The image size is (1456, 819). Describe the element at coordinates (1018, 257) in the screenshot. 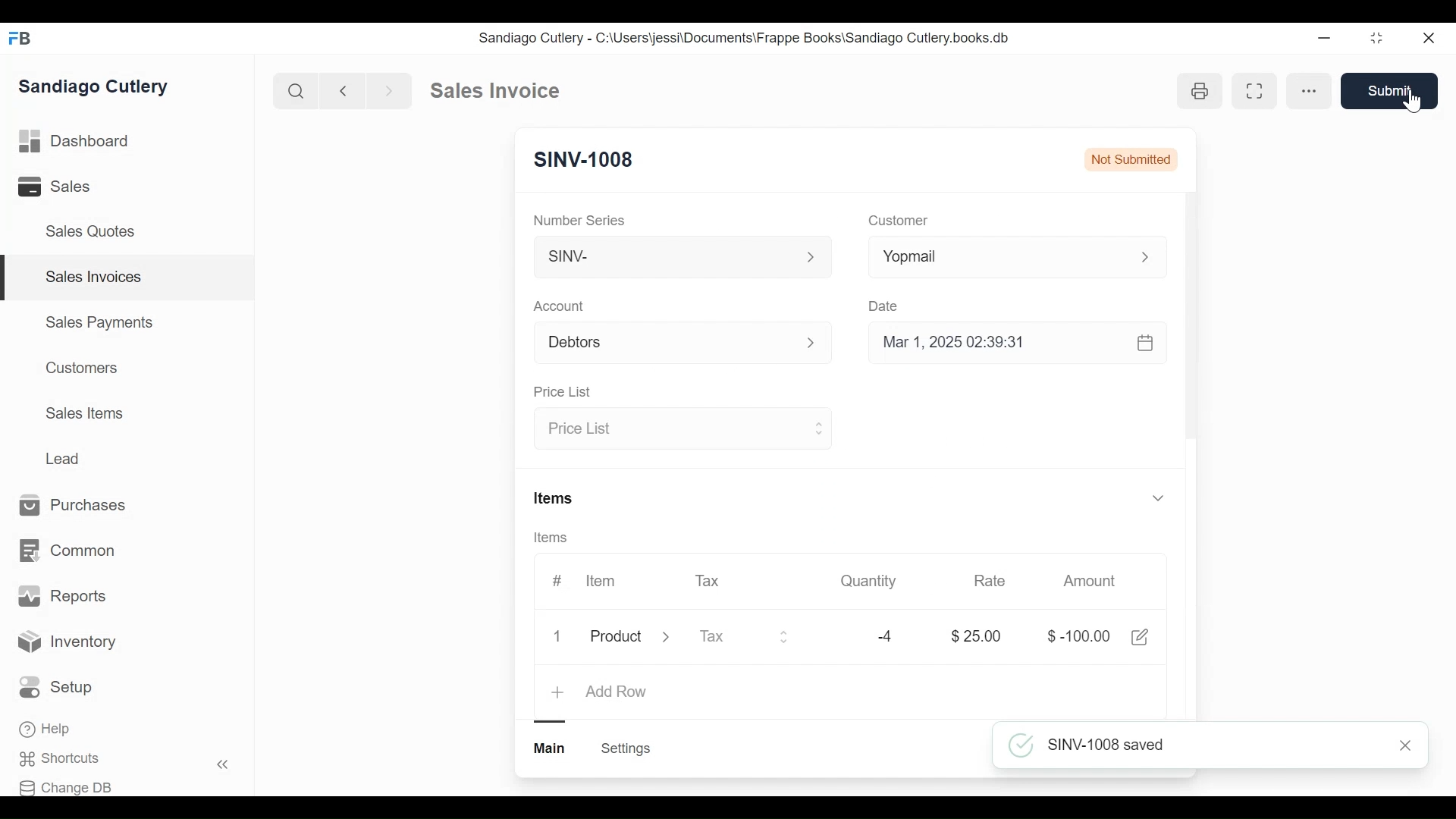

I see `Yopmail ` at that location.